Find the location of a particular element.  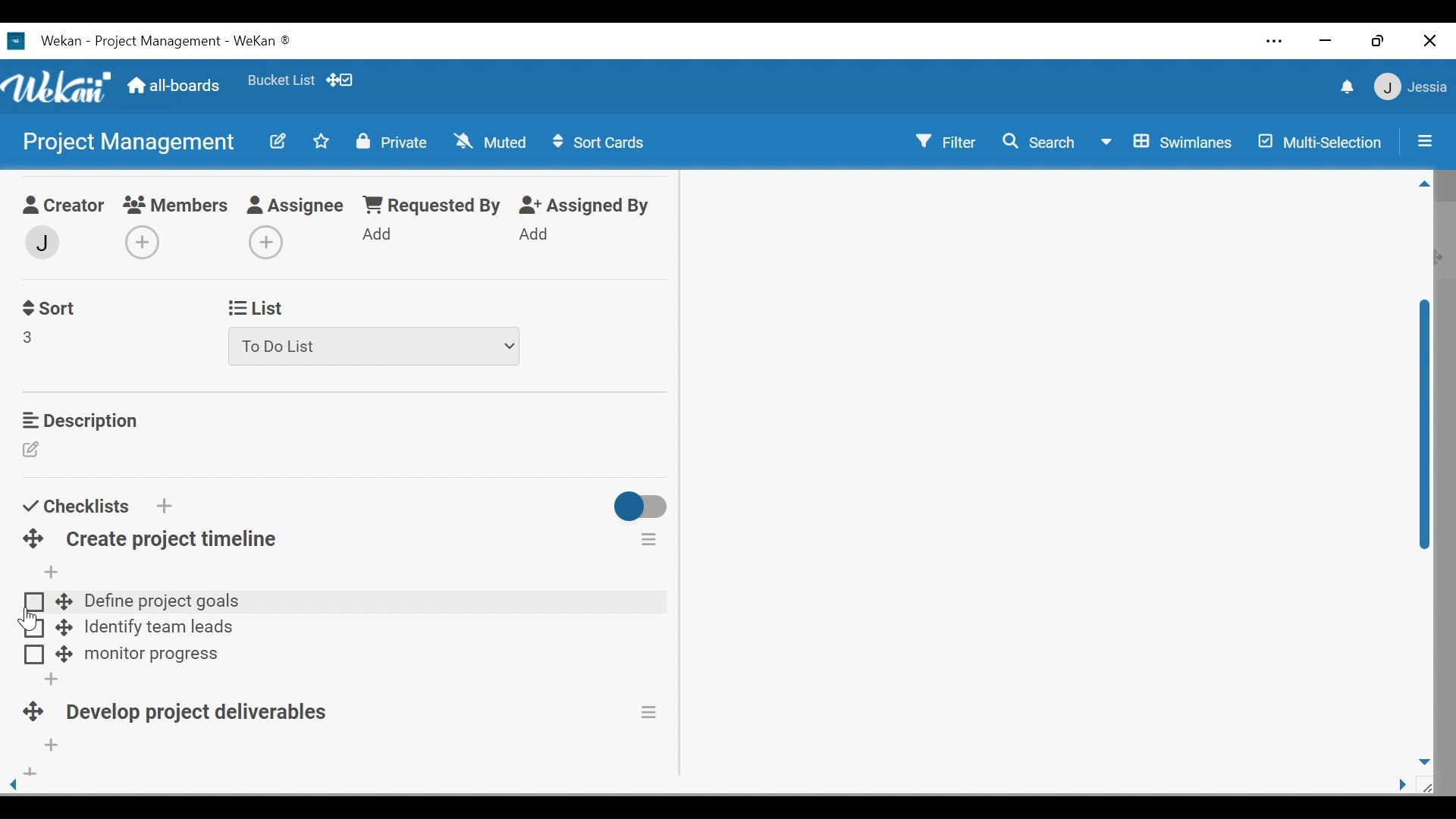

Checklist items is located at coordinates (367, 604).